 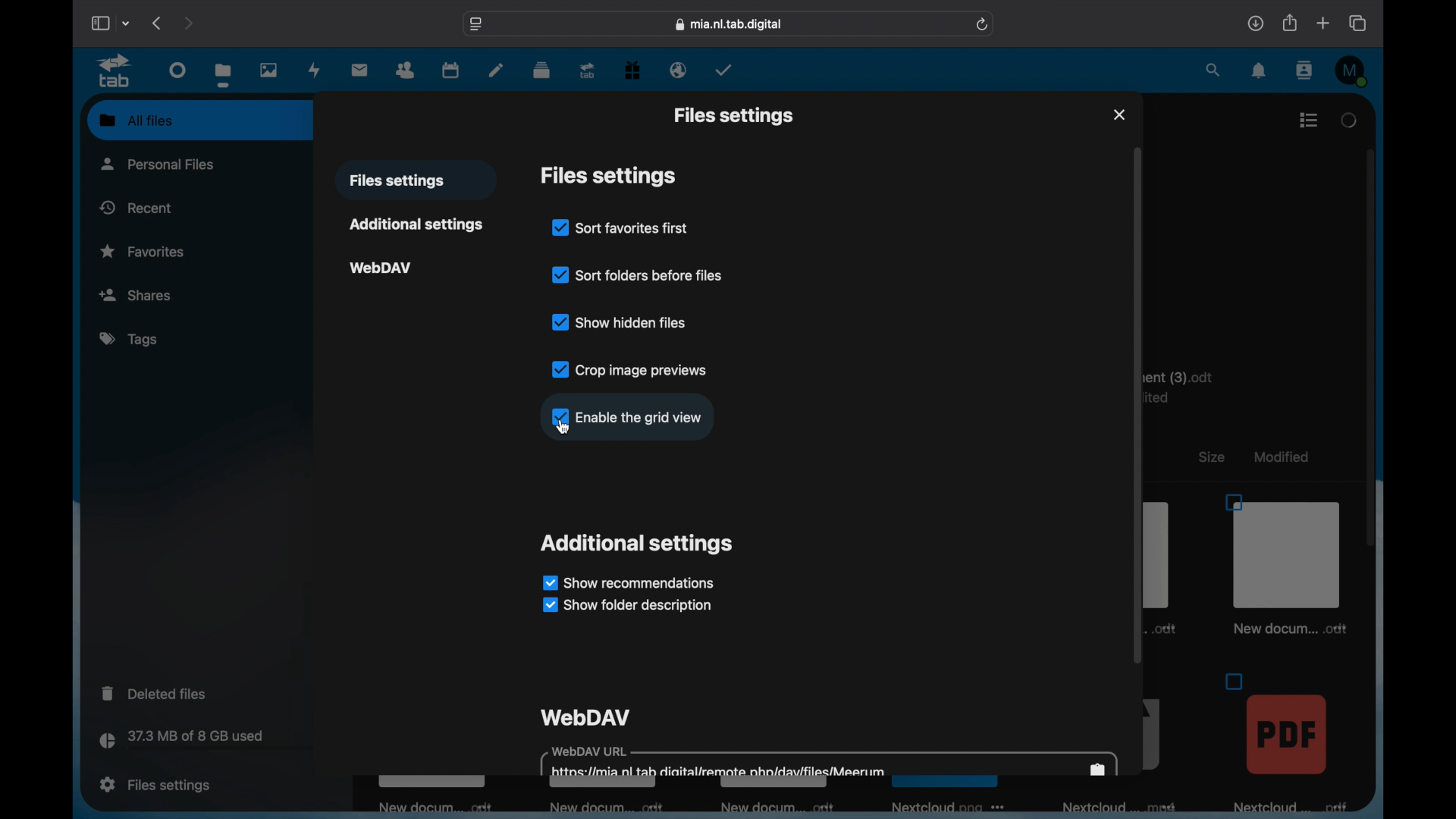 What do you see at coordinates (642, 416) in the screenshot?
I see `enable the grid view` at bounding box center [642, 416].